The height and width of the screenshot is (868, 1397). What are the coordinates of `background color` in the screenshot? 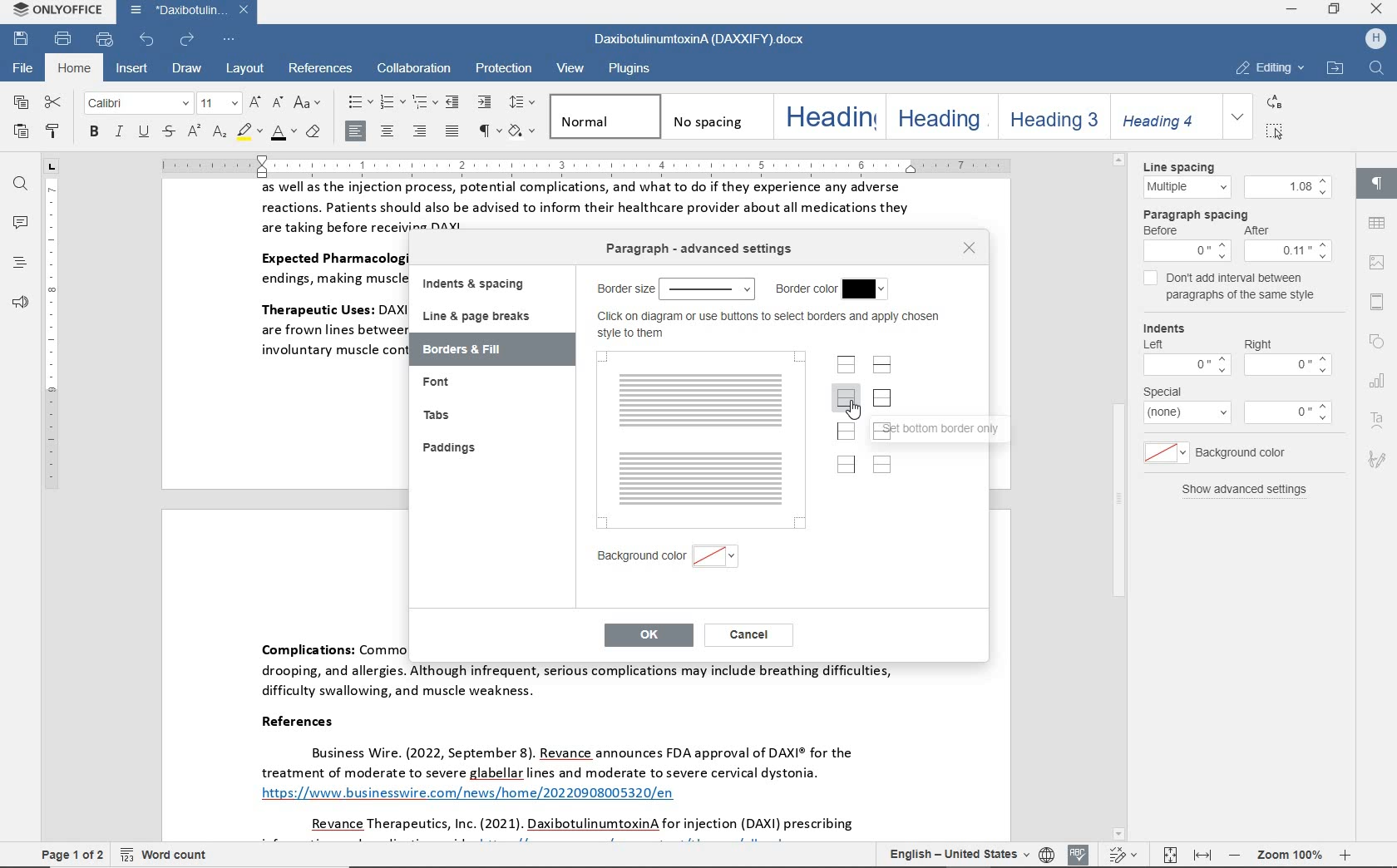 It's located at (1222, 451).